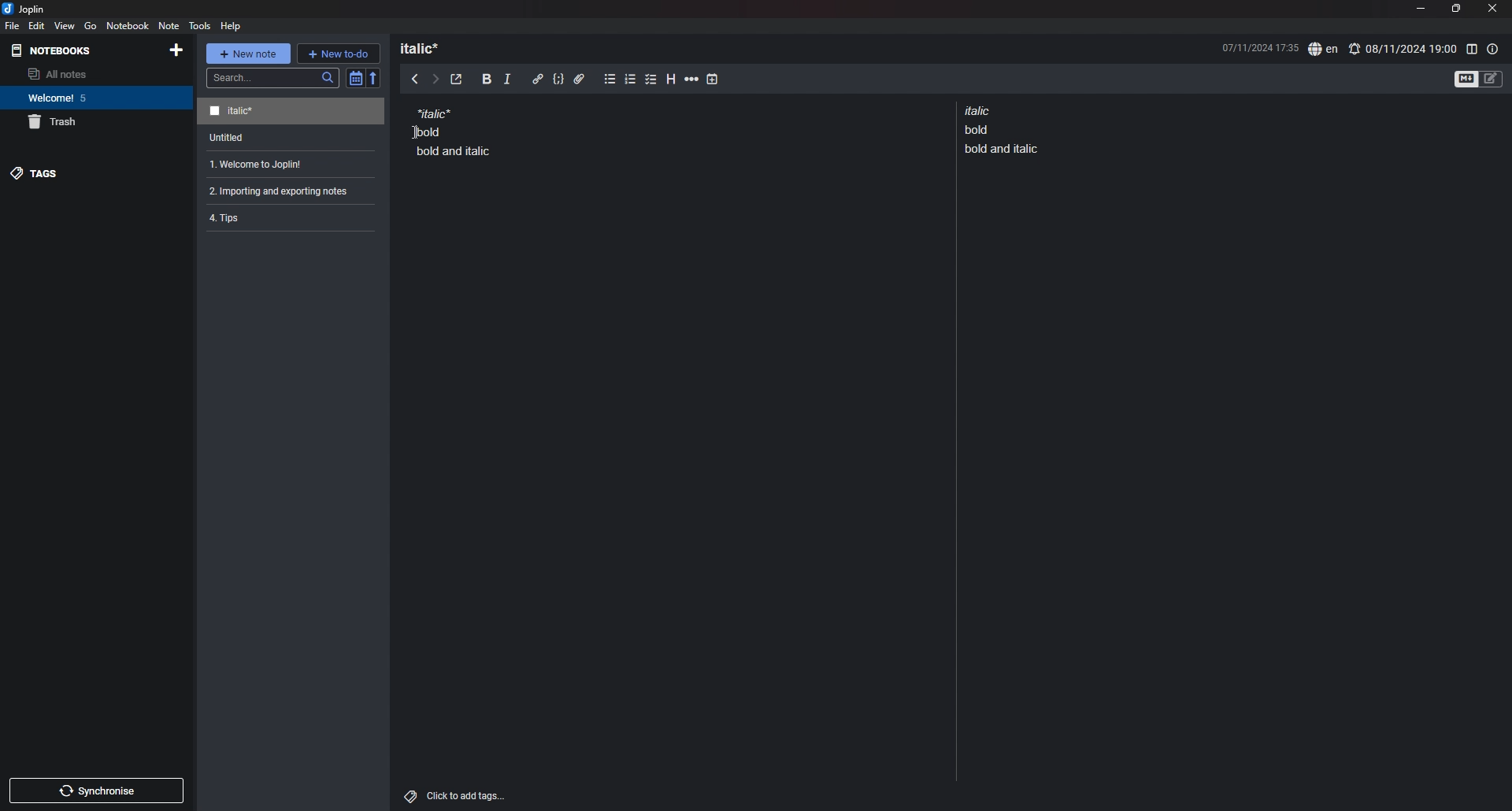 This screenshot has height=811, width=1512. What do you see at coordinates (651, 80) in the screenshot?
I see `checkbox` at bounding box center [651, 80].